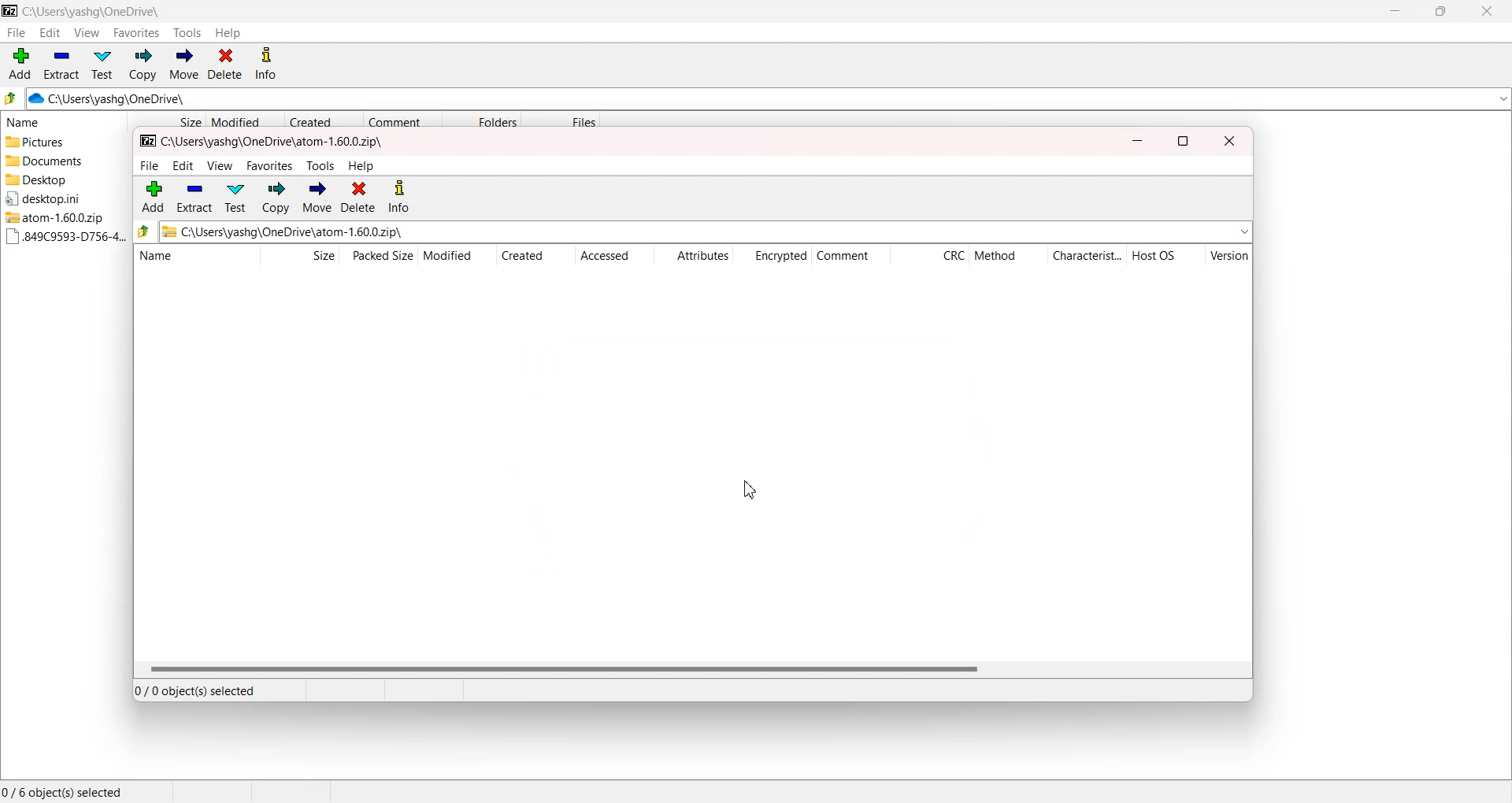 The image size is (1512, 803). Describe the element at coordinates (324, 120) in the screenshot. I see `Created Date` at that location.